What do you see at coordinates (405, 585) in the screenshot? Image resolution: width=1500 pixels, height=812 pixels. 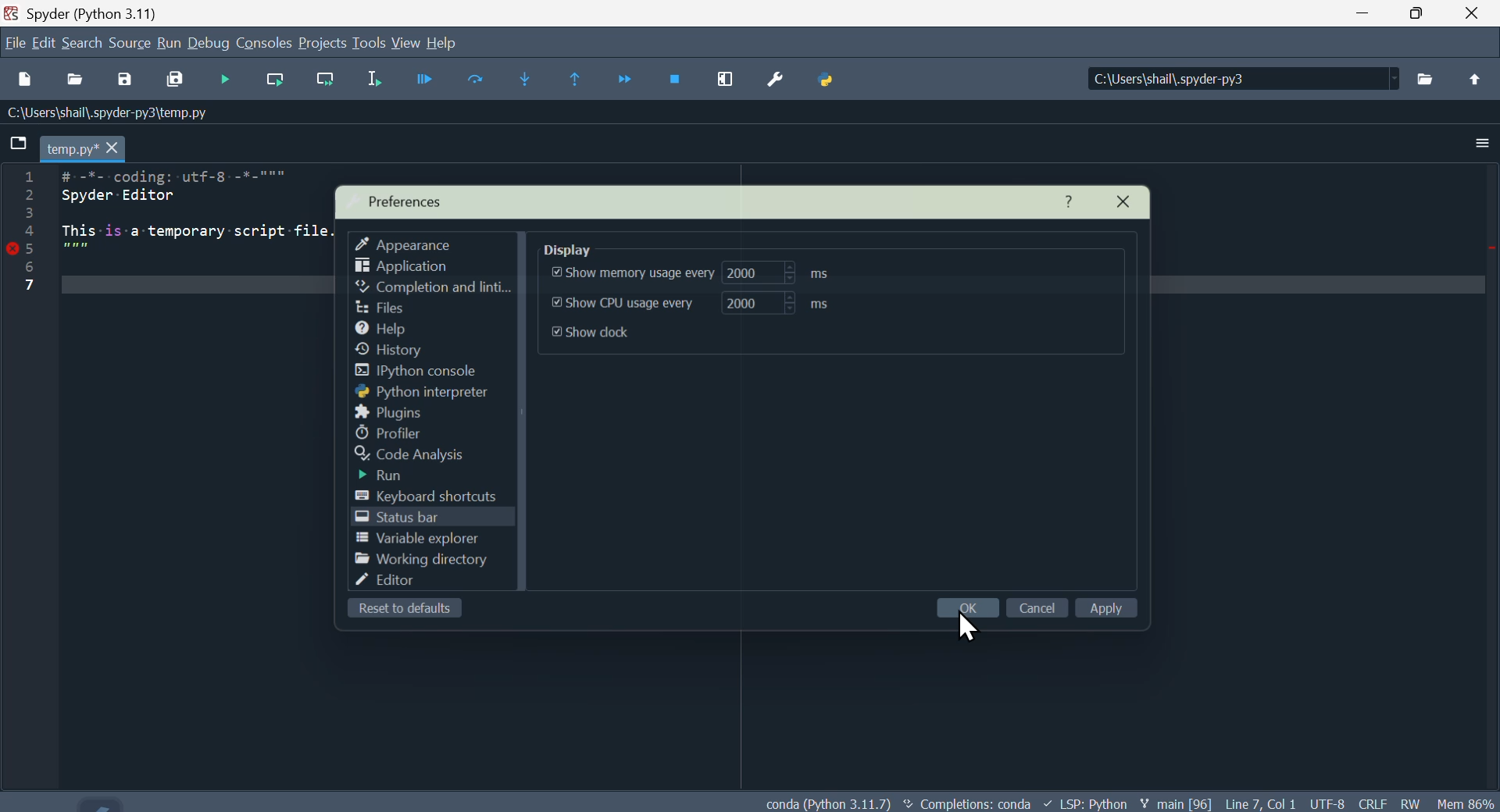 I see `Editor` at bounding box center [405, 585].